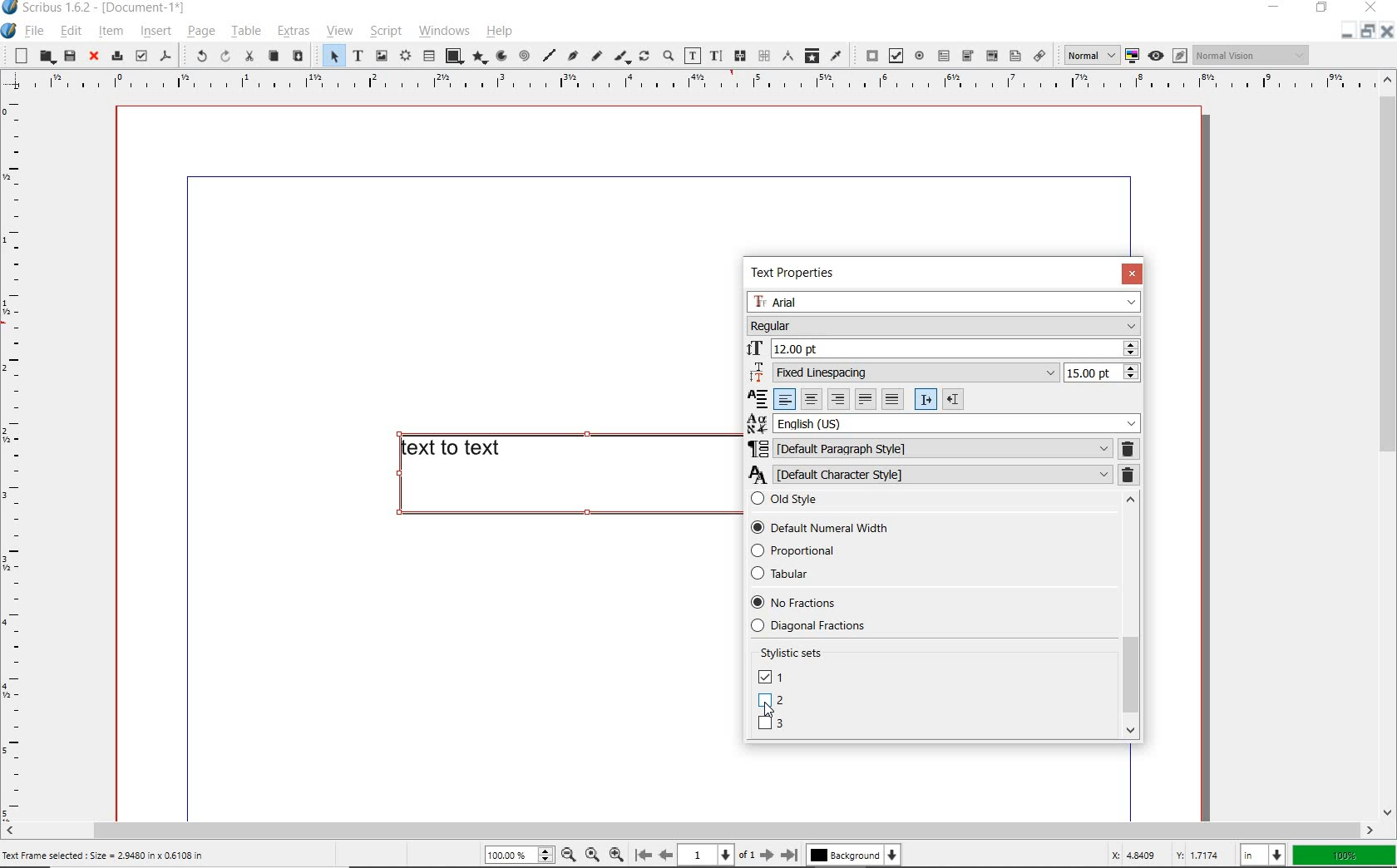 This screenshot has height=868, width=1397. I want to click on paste, so click(297, 57).